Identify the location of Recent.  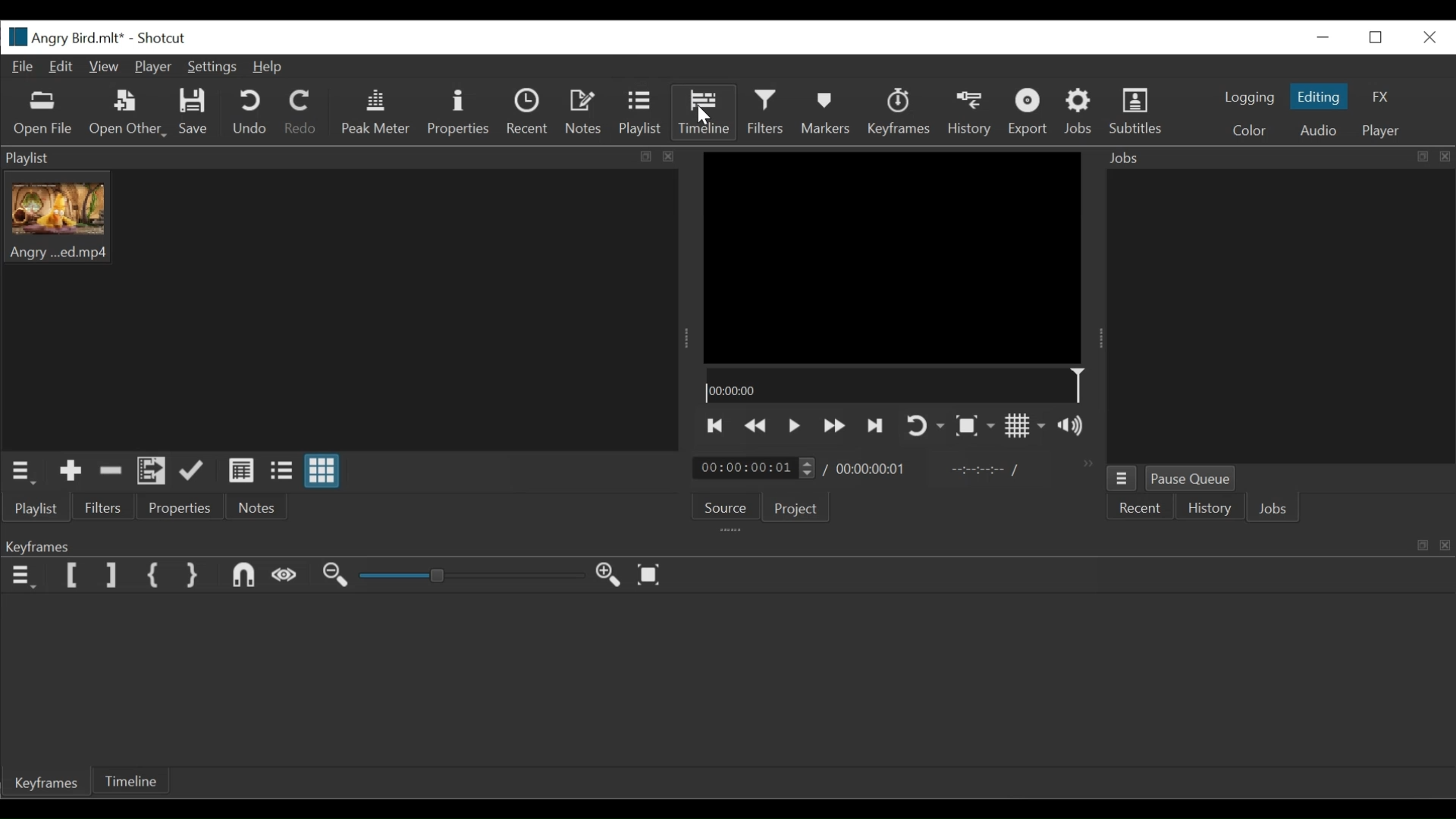
(527, 113).